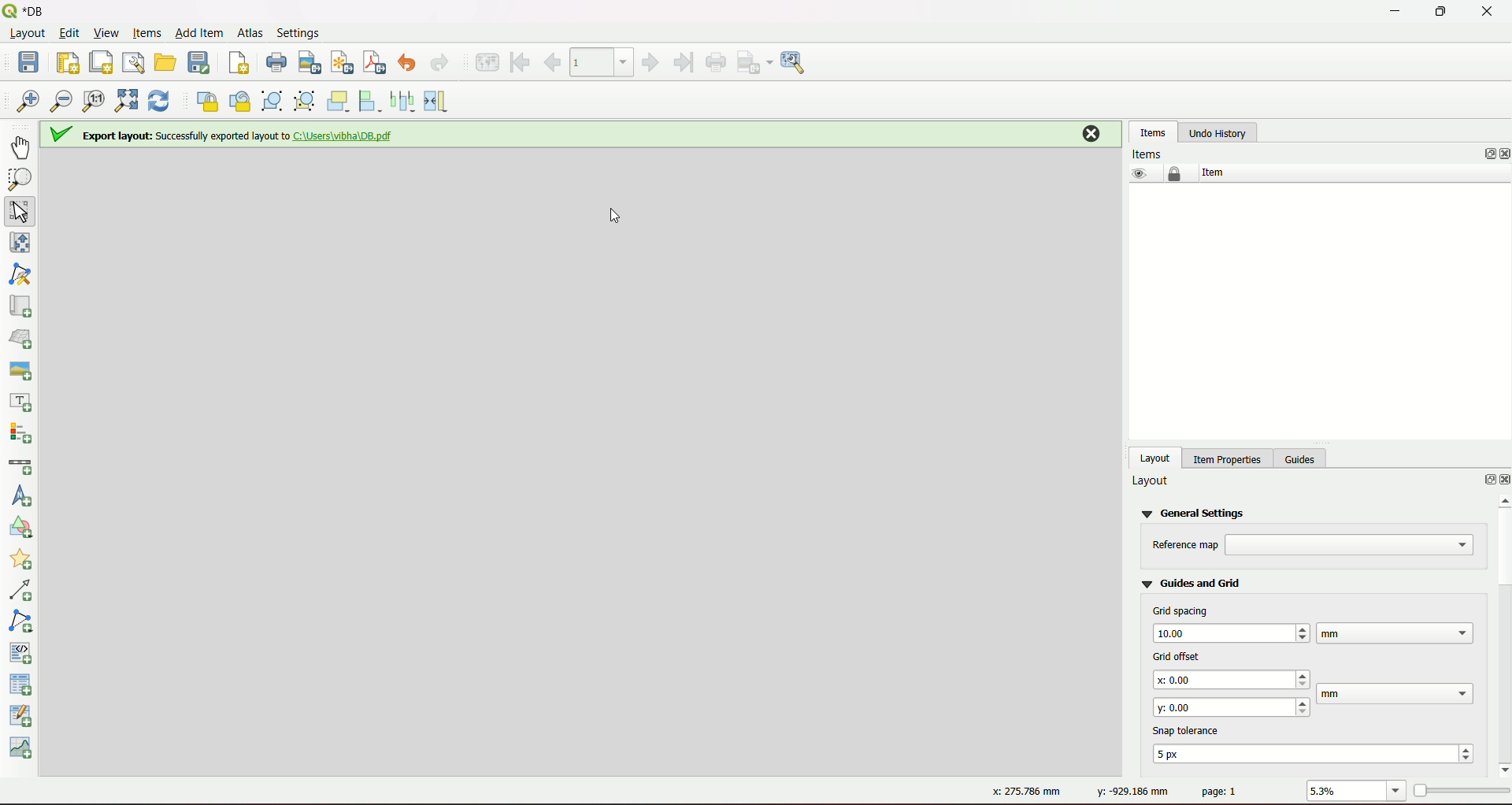  I want to click on layout, so click(1151, 481).